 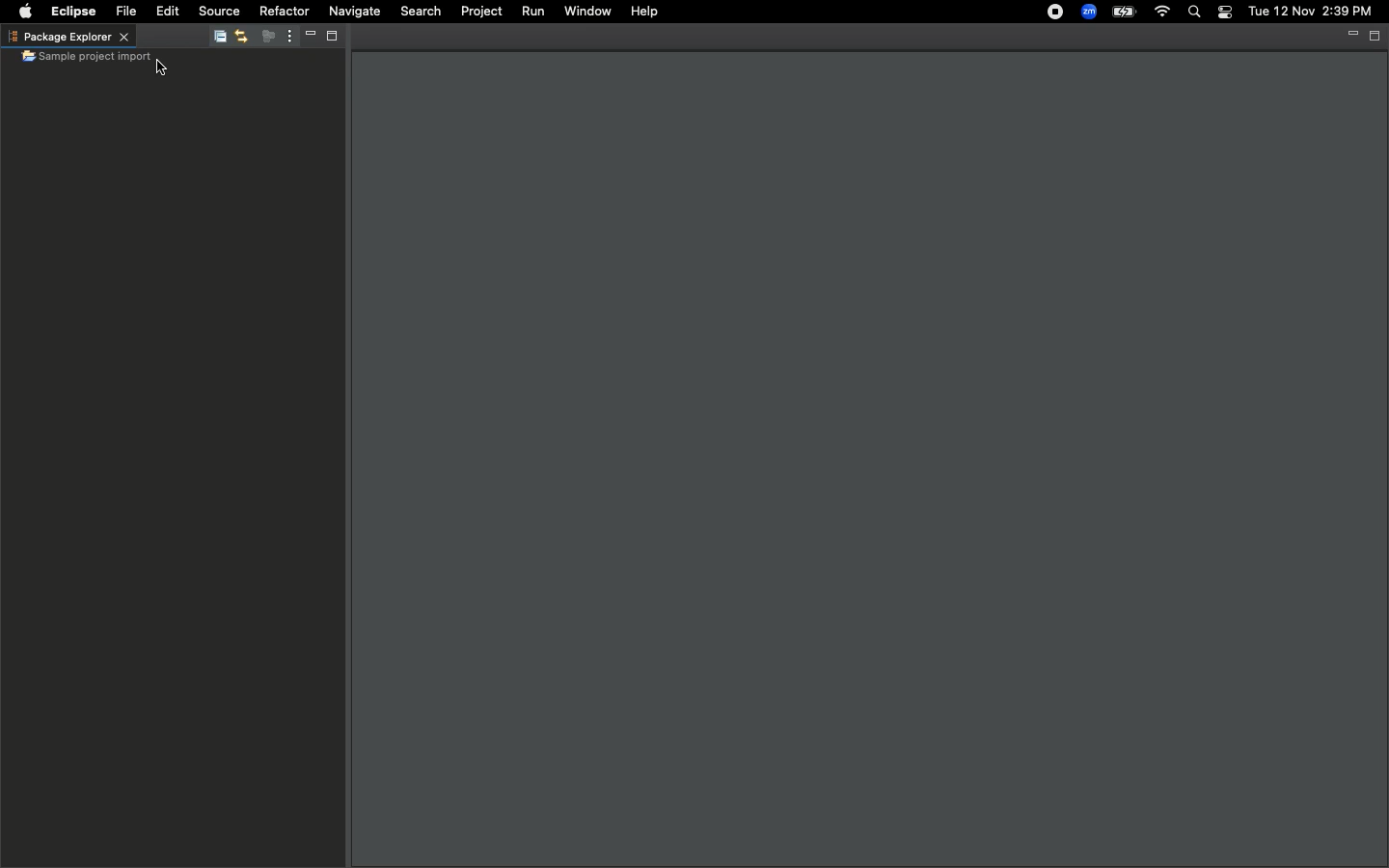 I want to click on Search, so click(x=419, y=12).